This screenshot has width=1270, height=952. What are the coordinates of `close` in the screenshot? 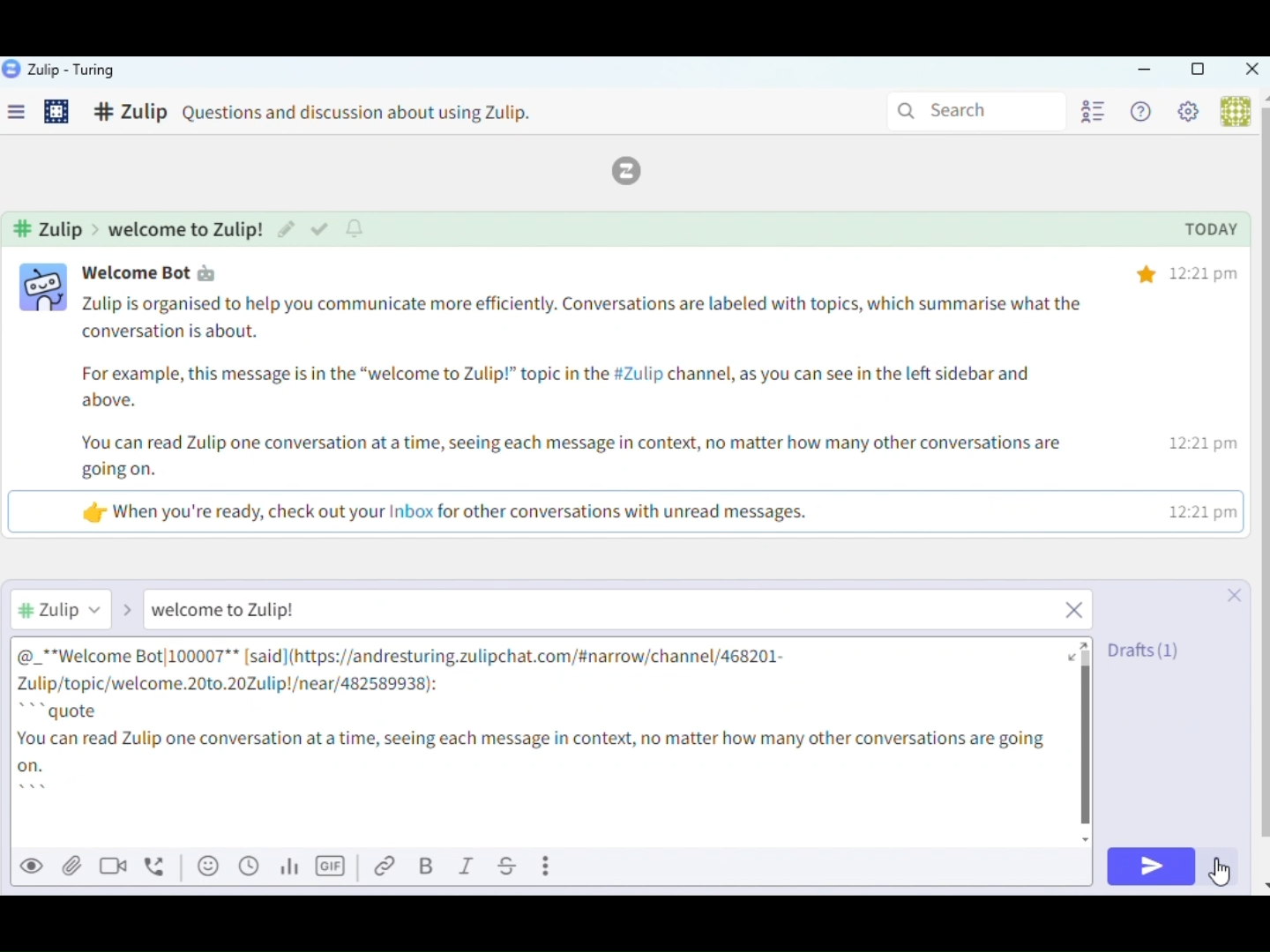 It's located at (1229, 593).